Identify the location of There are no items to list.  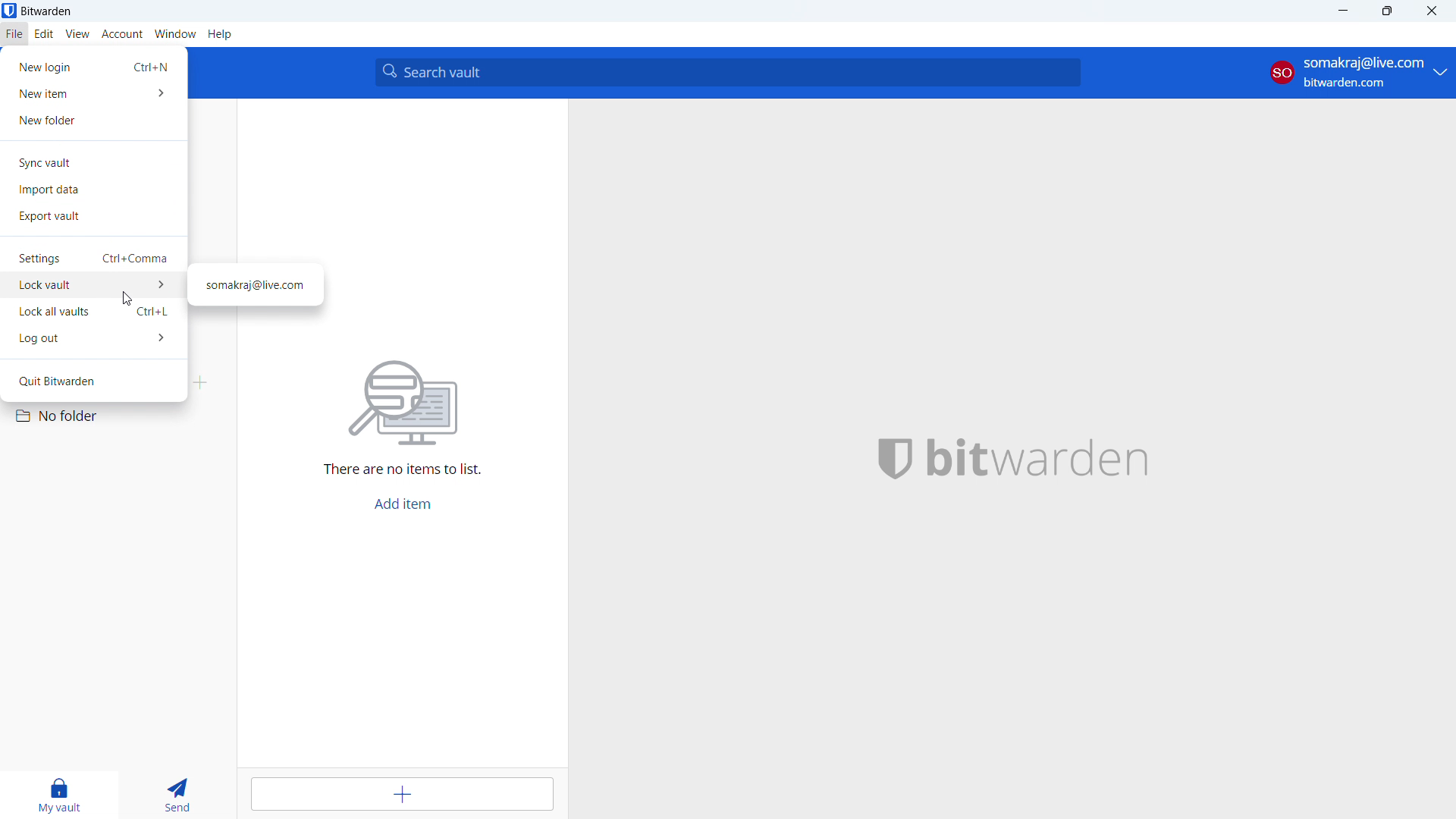
(406, 468).